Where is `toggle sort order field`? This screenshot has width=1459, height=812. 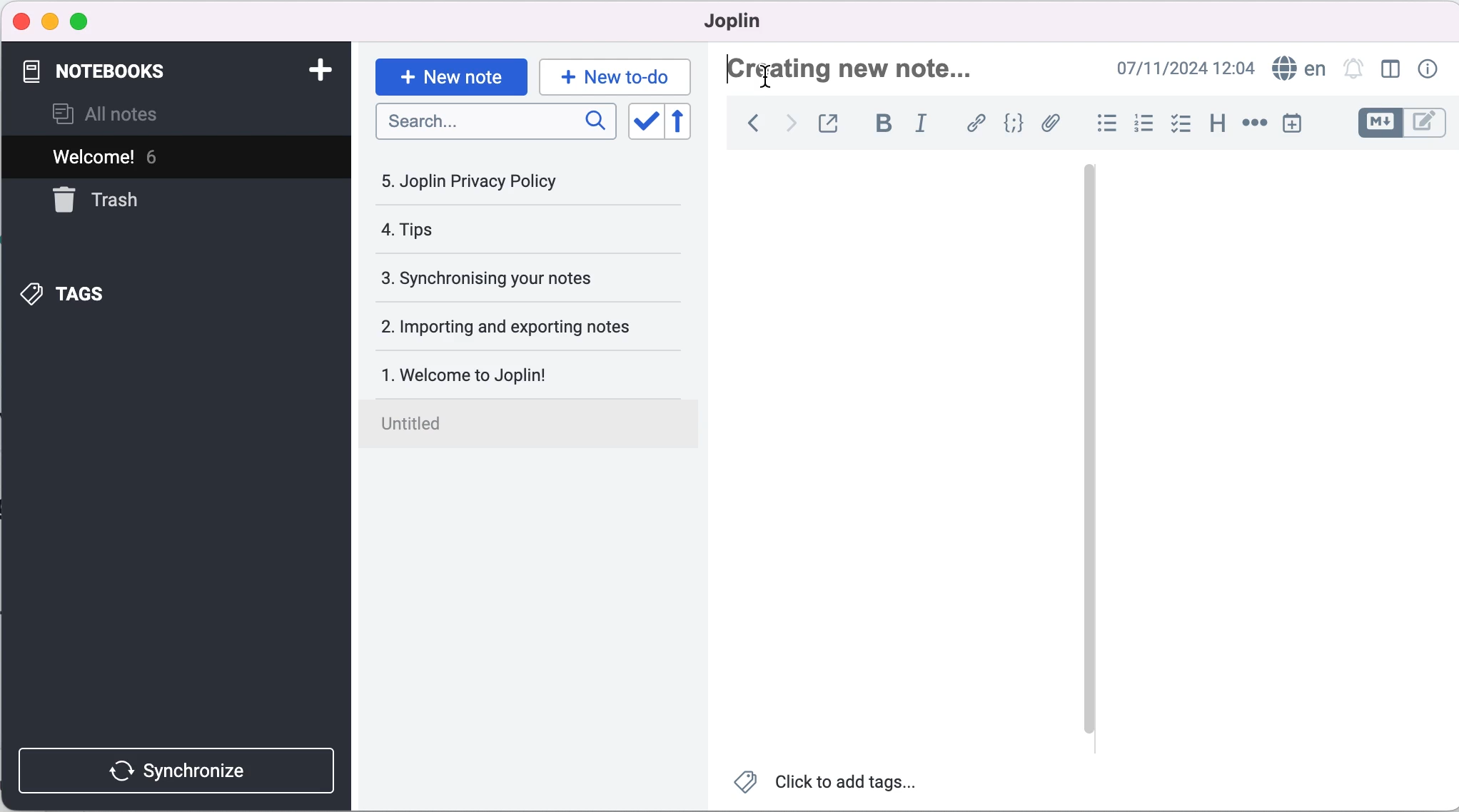
toggle sort order field is located at coordinates (646, 123).